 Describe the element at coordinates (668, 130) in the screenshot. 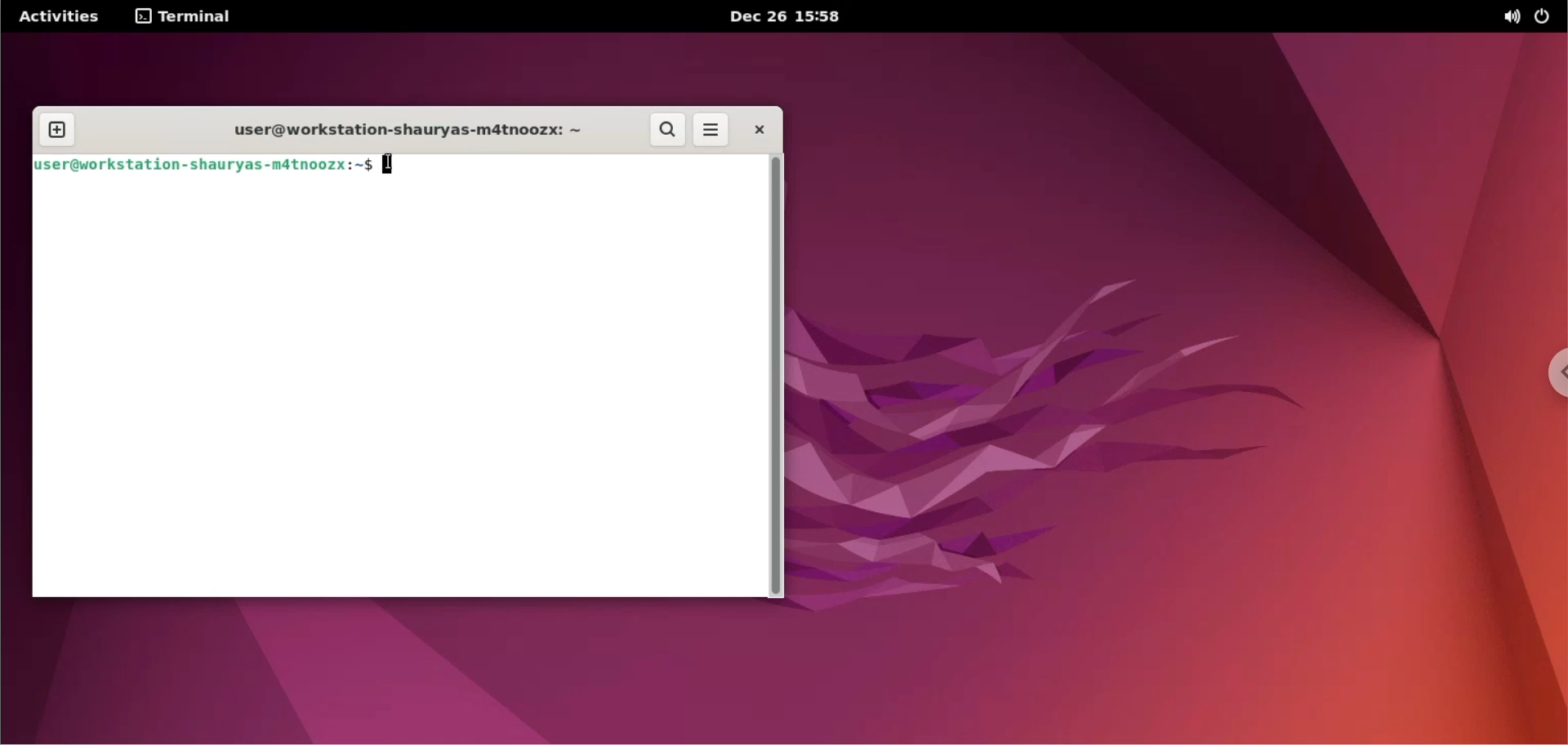

I see `search` at that location.